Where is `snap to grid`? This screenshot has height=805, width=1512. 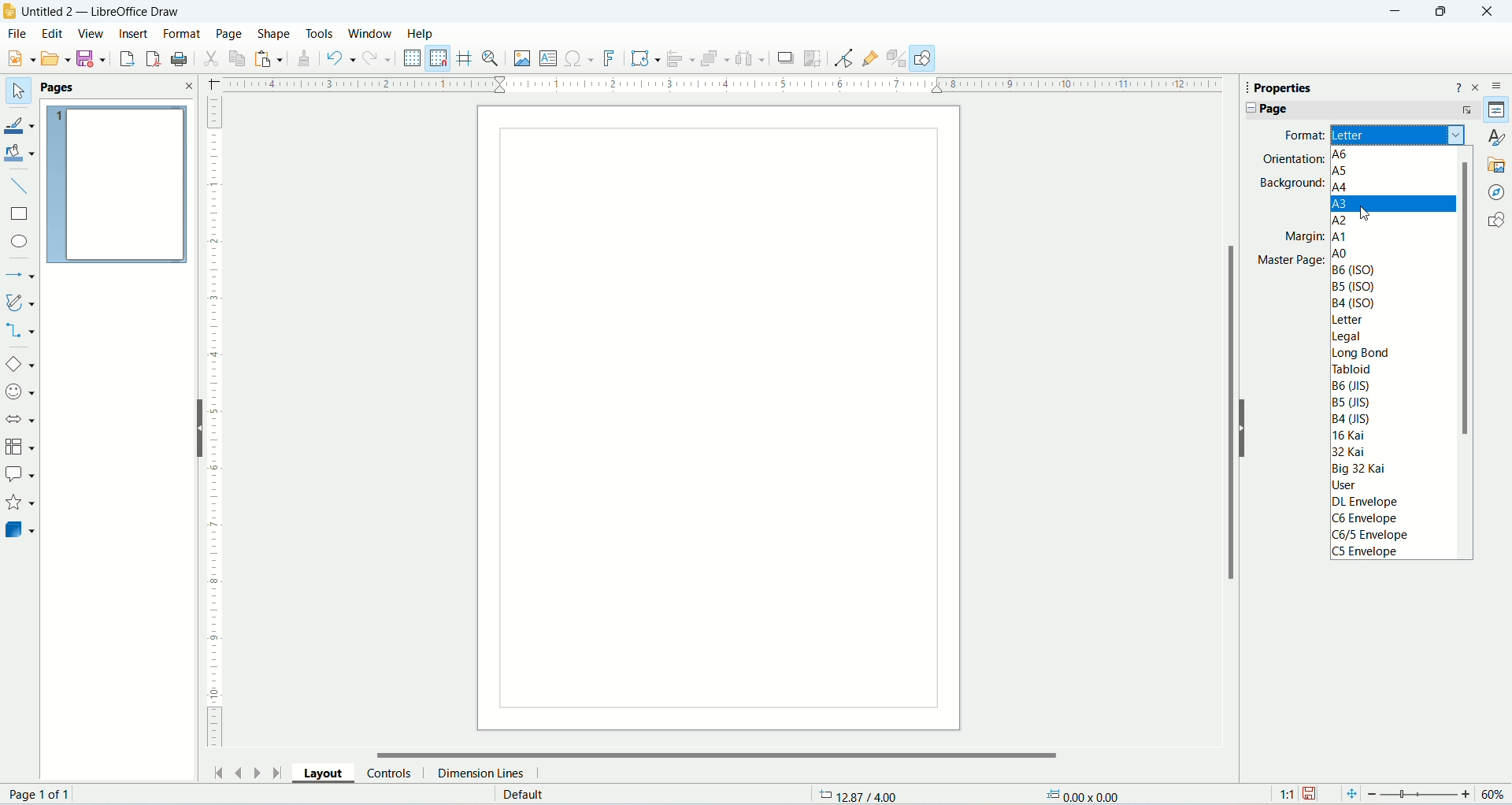
snap to grid is located at coordinates (439, 57).